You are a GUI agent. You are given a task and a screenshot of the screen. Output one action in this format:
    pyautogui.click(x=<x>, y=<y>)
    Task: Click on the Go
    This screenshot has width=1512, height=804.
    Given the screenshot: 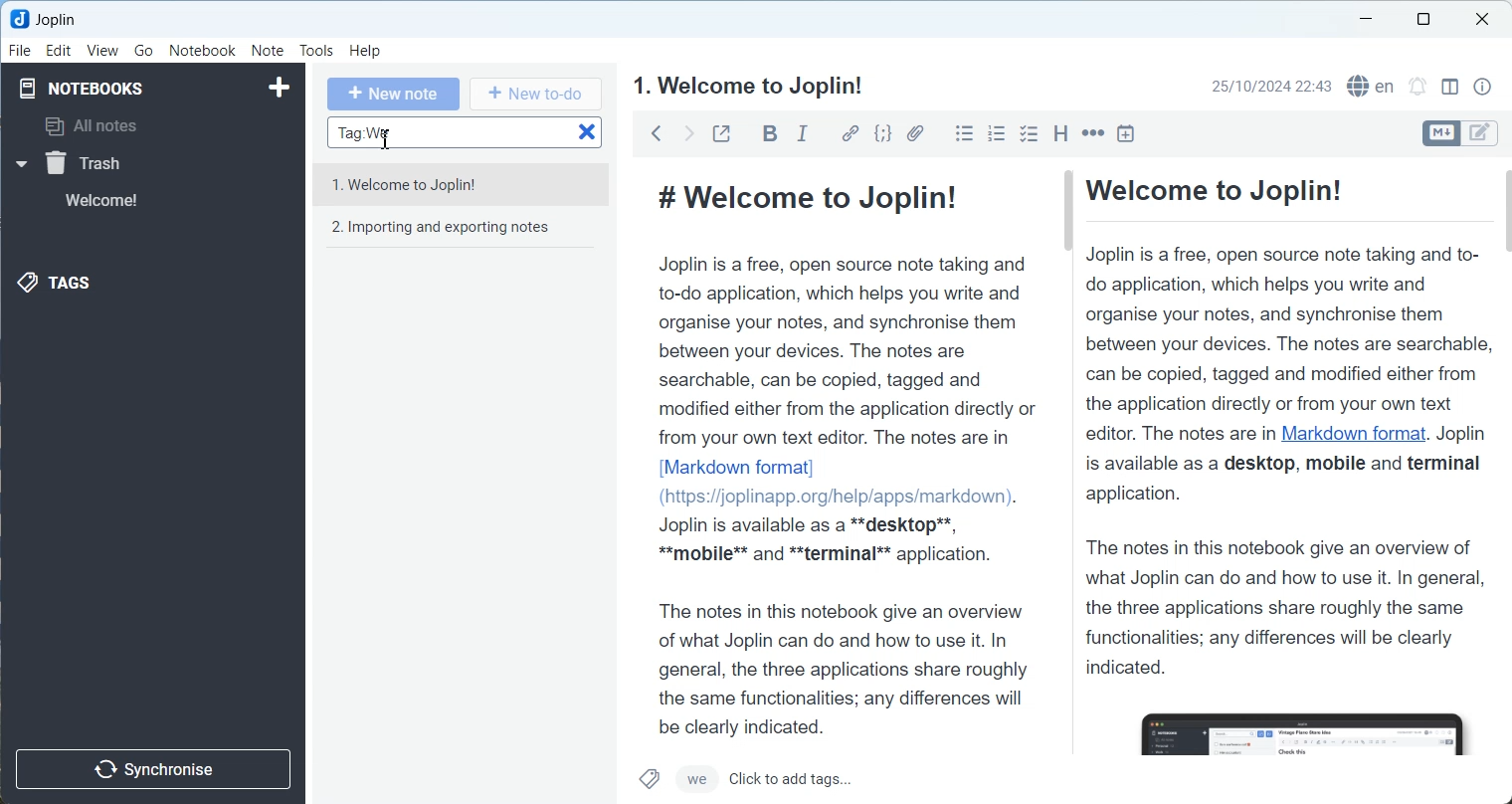 What is the action you would take?
    pyautogui.click(x=143, y=51)
    